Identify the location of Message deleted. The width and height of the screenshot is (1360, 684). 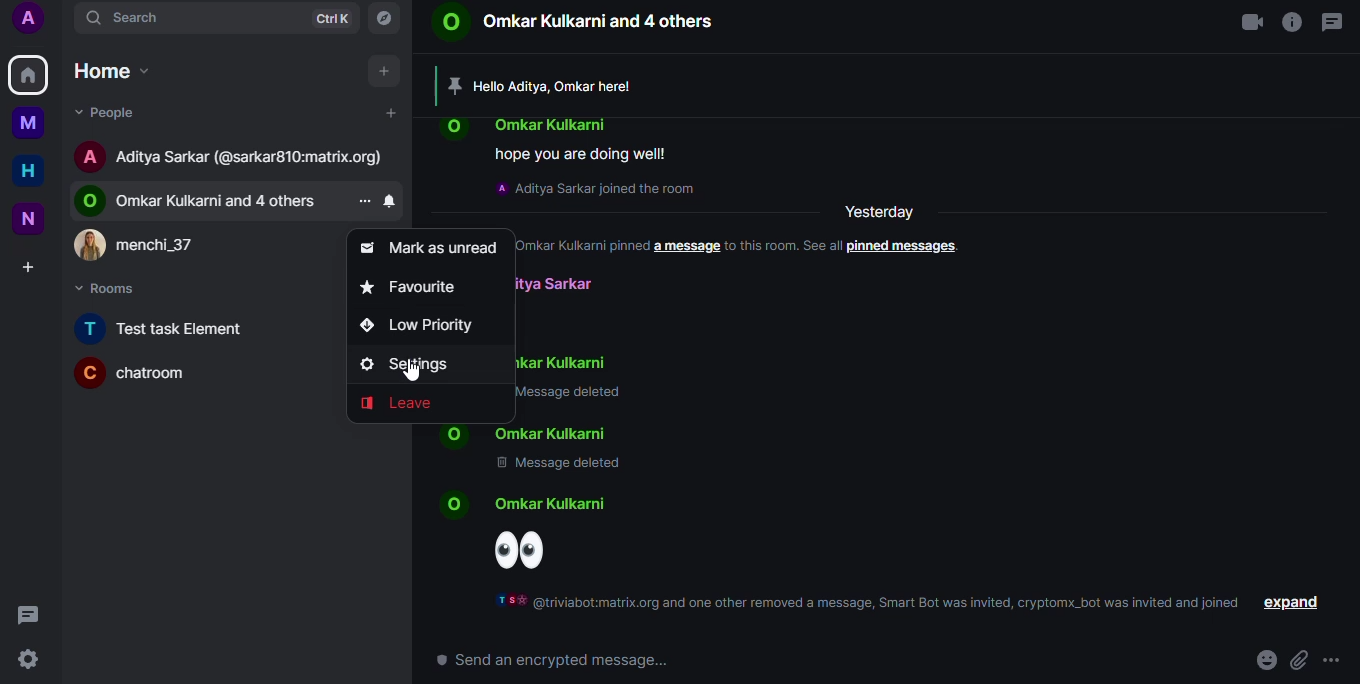
(556, 467).